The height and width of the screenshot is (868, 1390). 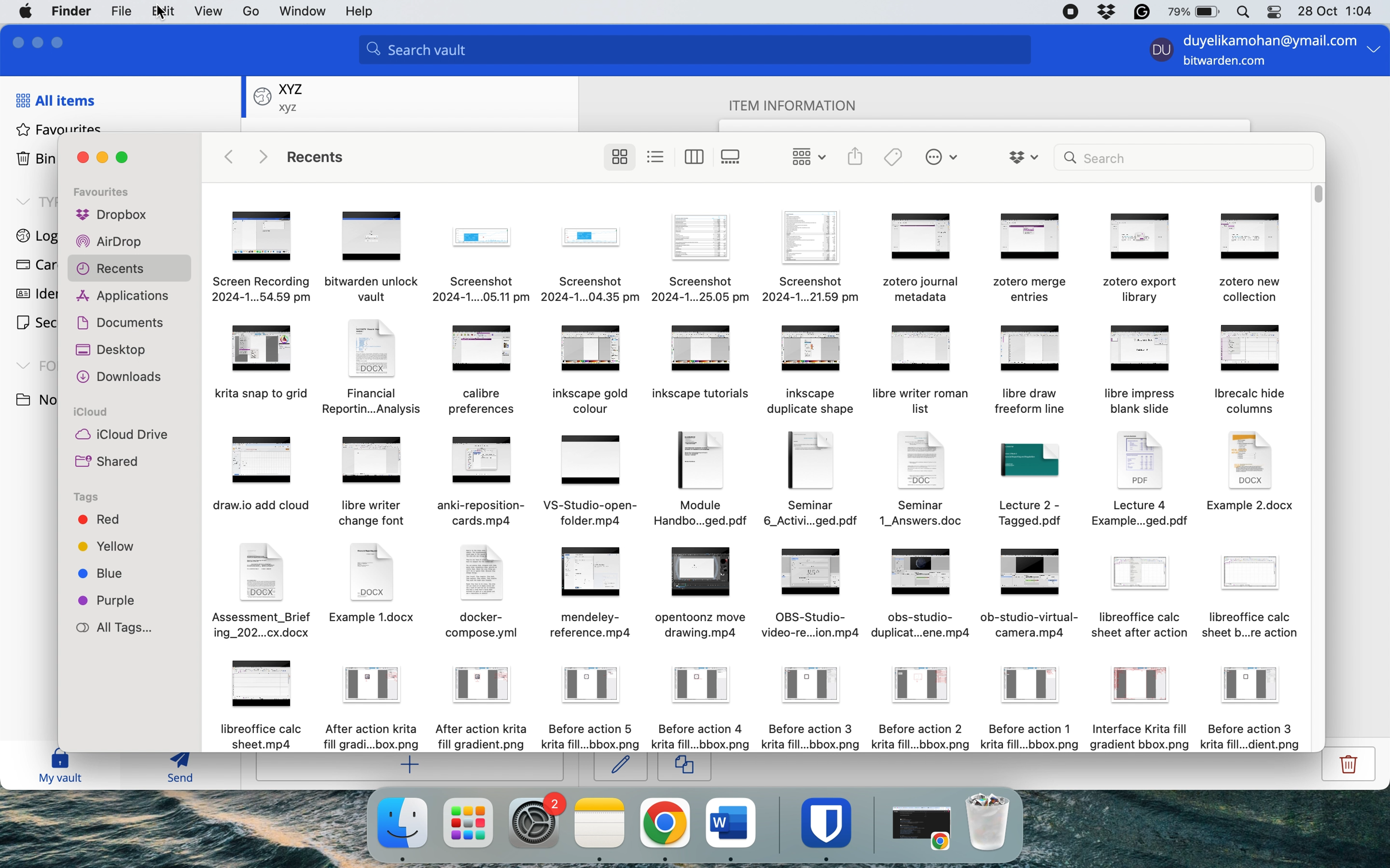 I want to click on dropbox, so click(x=112, y=217).